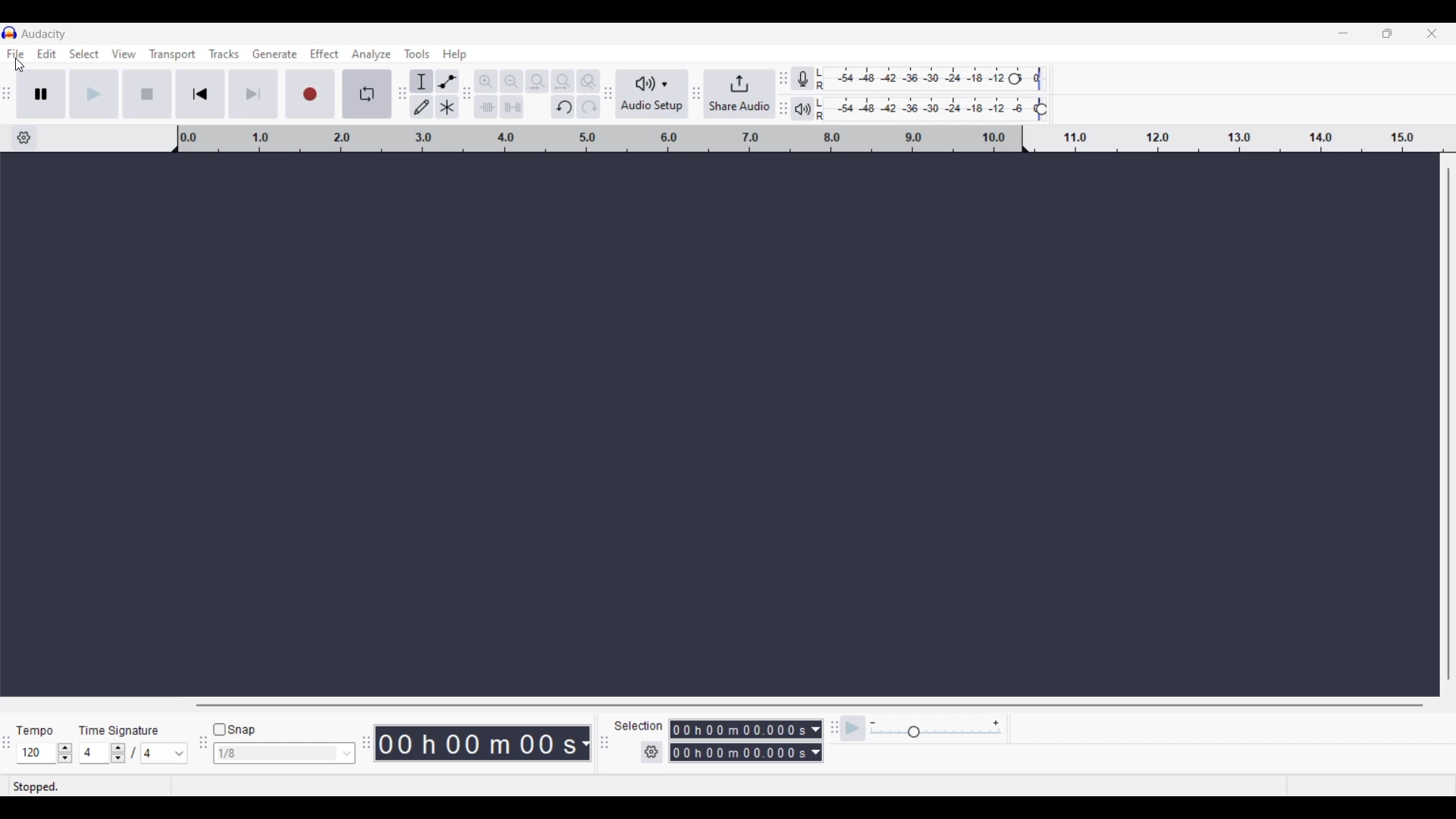  Describe the element at coordinates (488, 81) in the screenshot. I see `Zoom in` at that location.